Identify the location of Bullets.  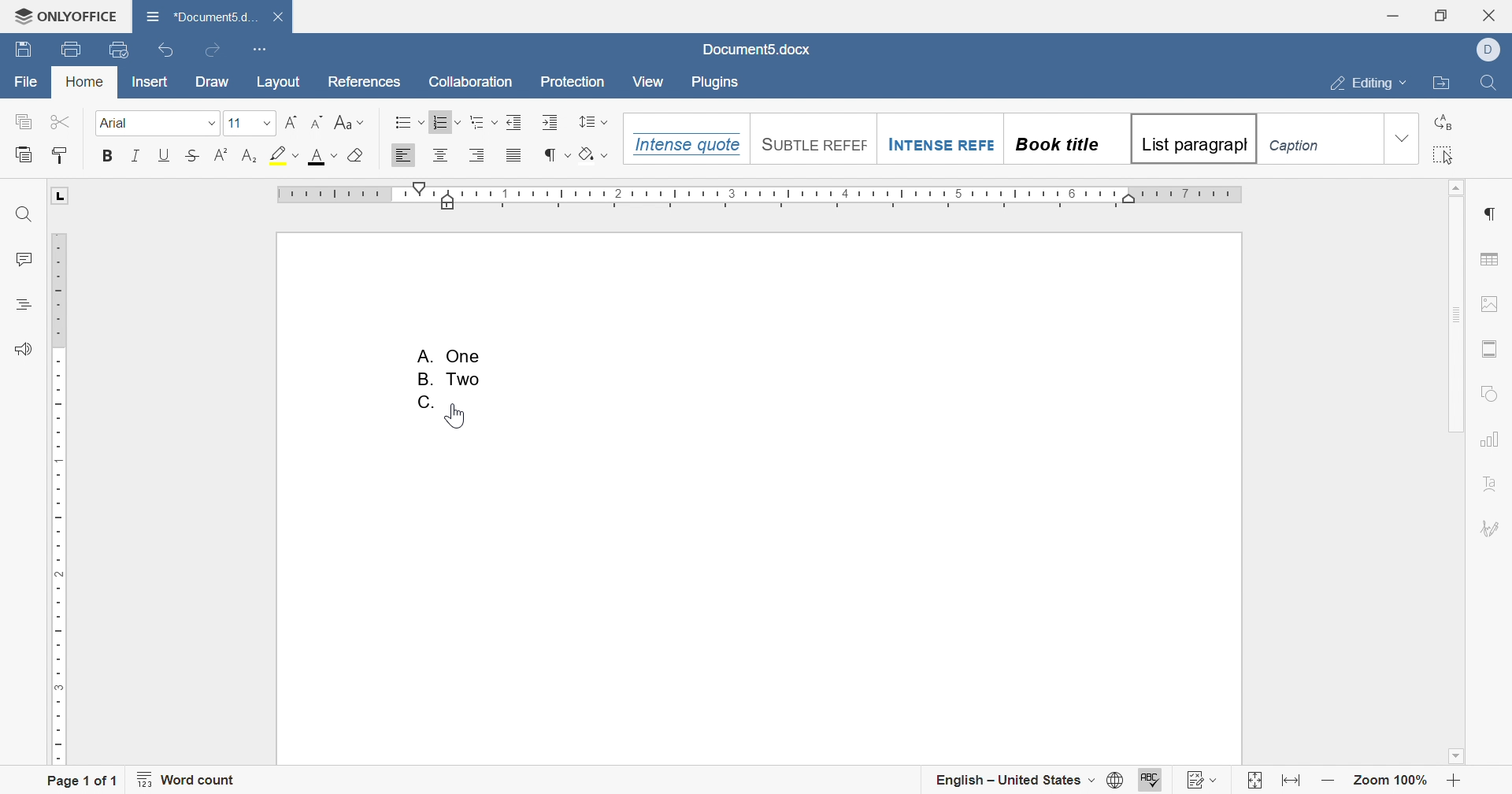
(407, 121).